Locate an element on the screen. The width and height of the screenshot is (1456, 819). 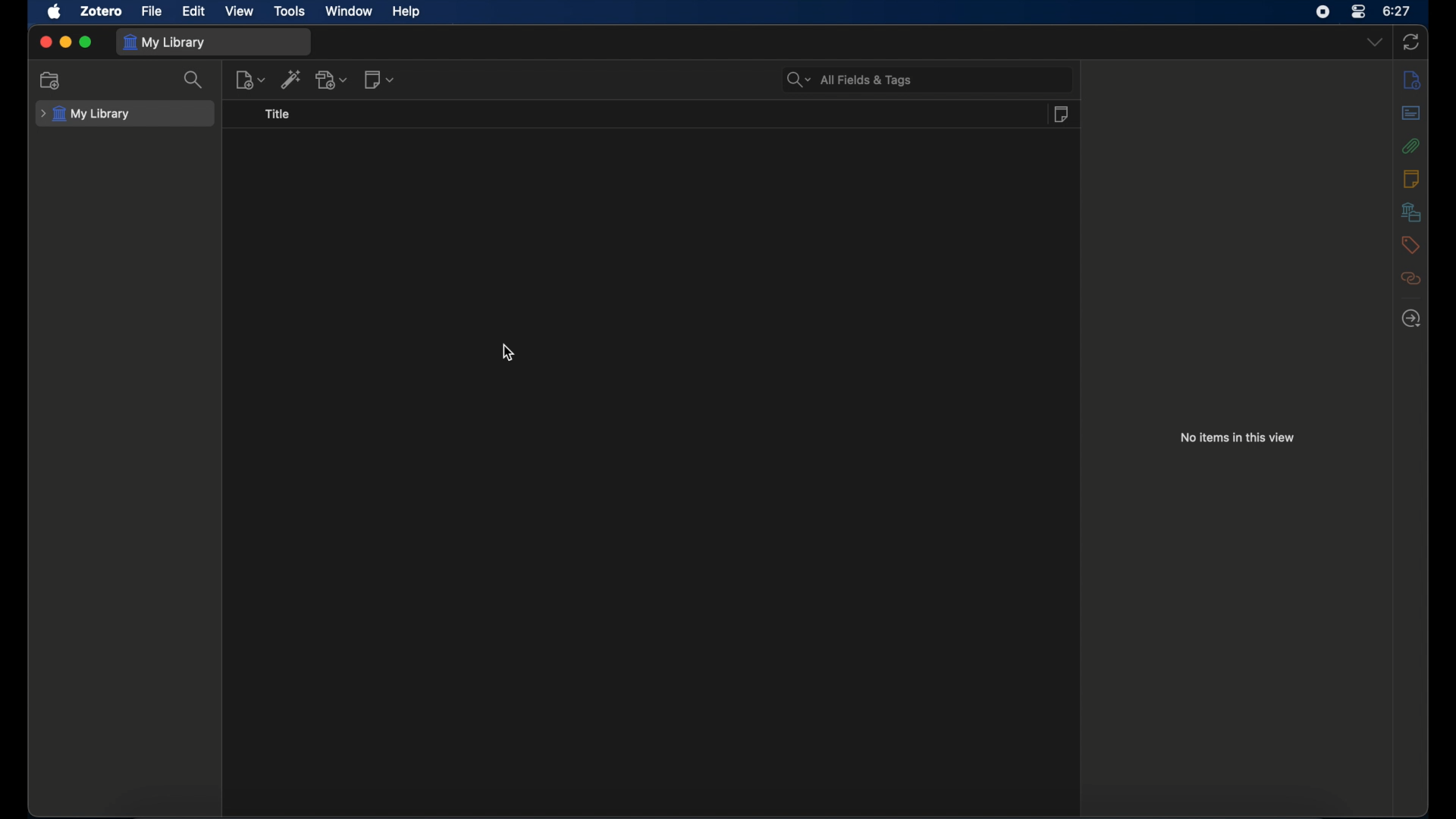
locate is located at coordinates (1411, 318).